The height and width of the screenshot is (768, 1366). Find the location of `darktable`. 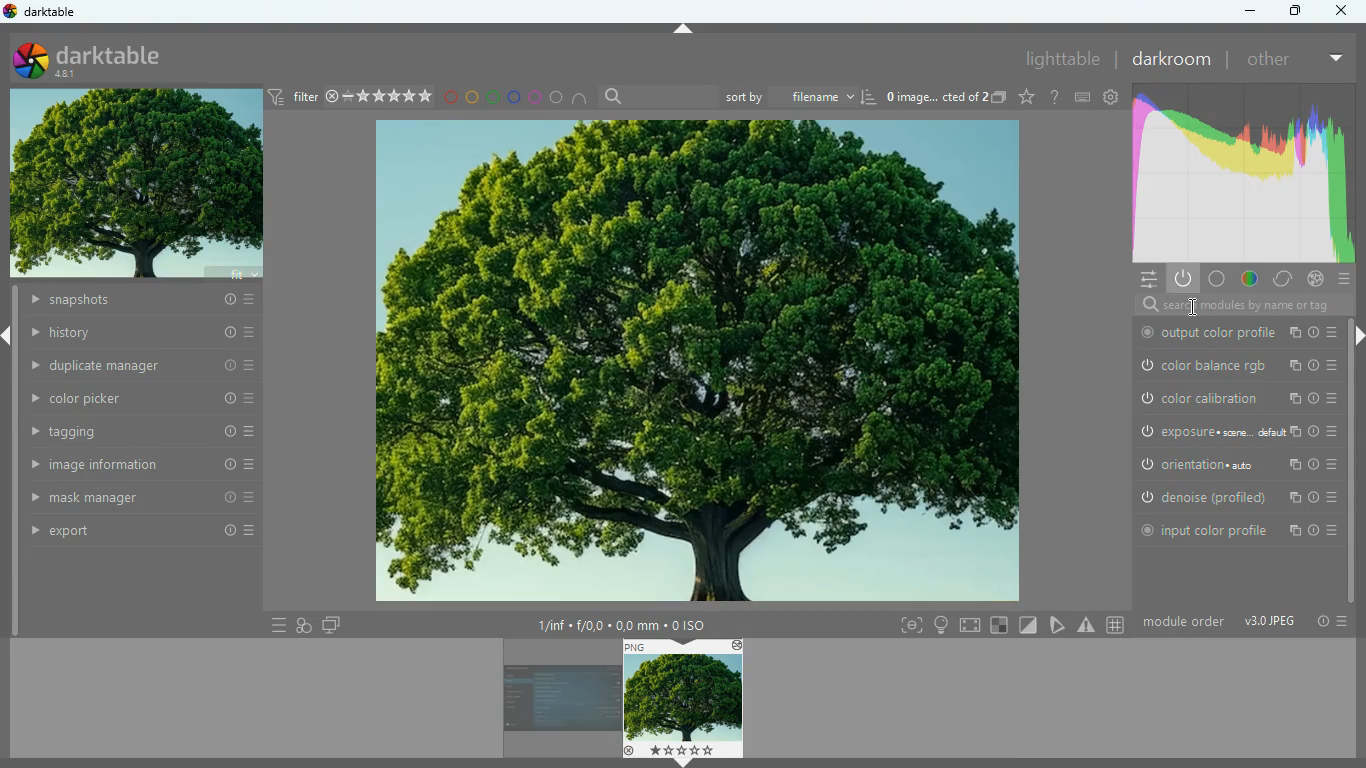

darktable is located at coordinates (44, 13).